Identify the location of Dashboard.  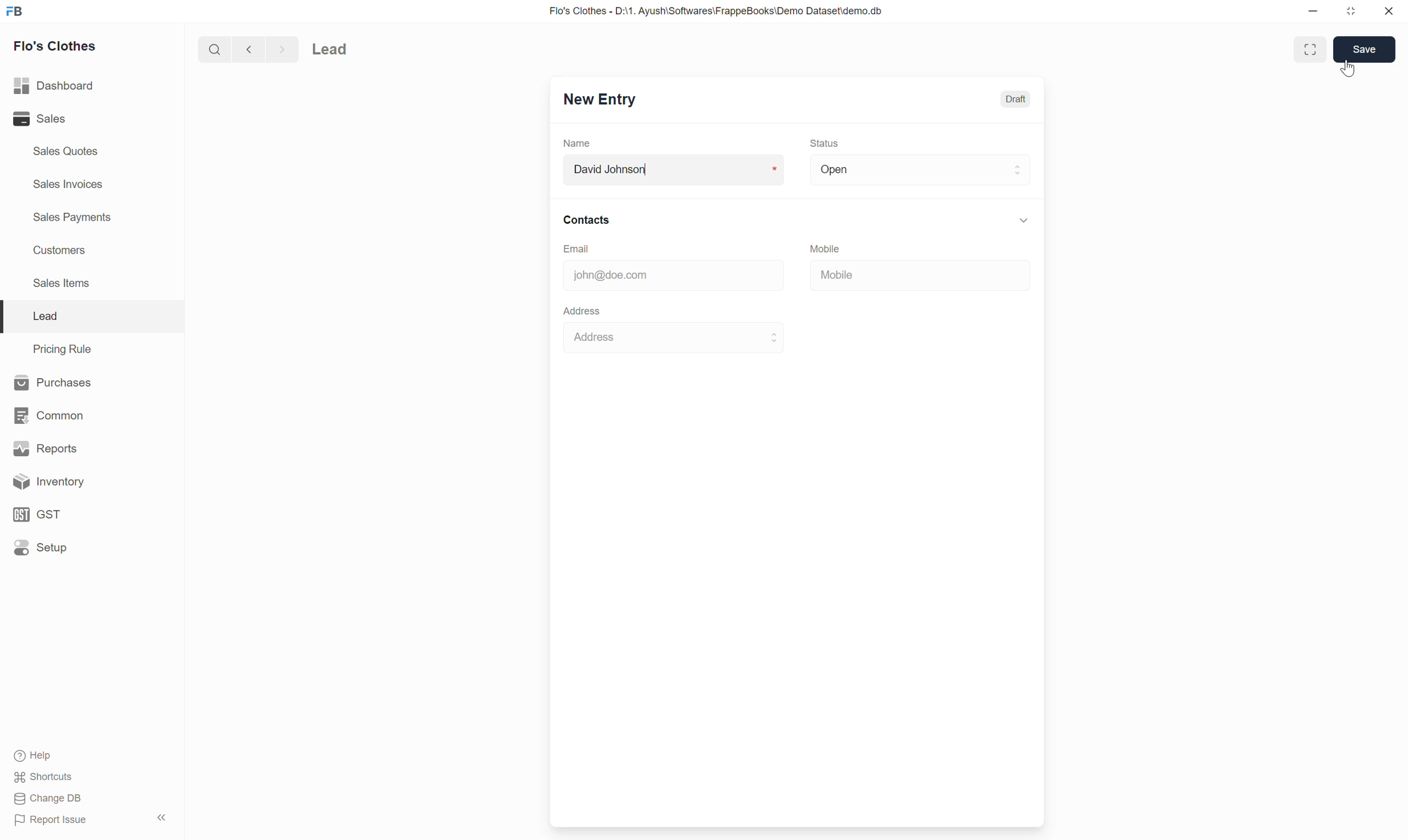
(54, 87).